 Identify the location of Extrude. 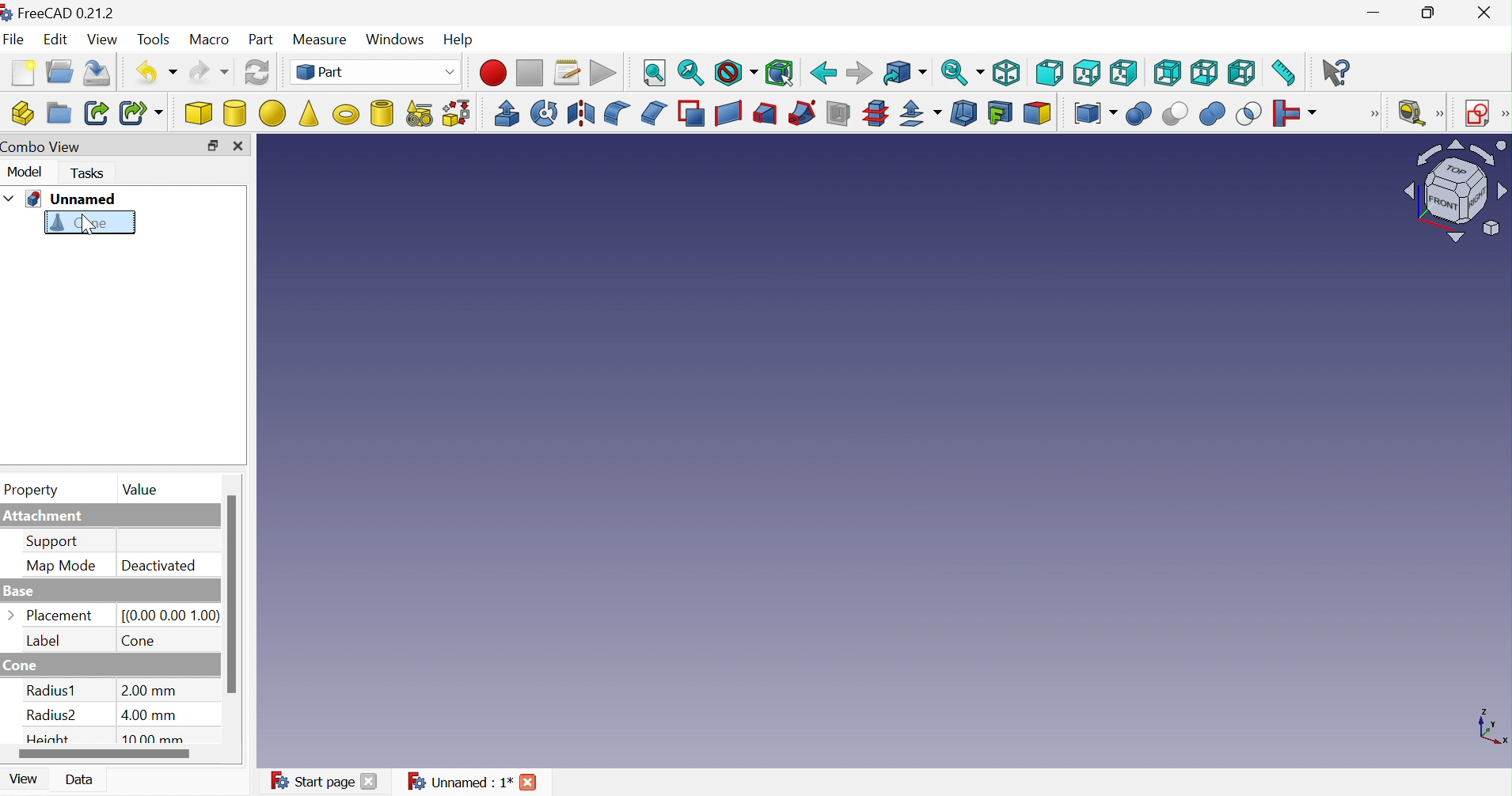
(507, 112).